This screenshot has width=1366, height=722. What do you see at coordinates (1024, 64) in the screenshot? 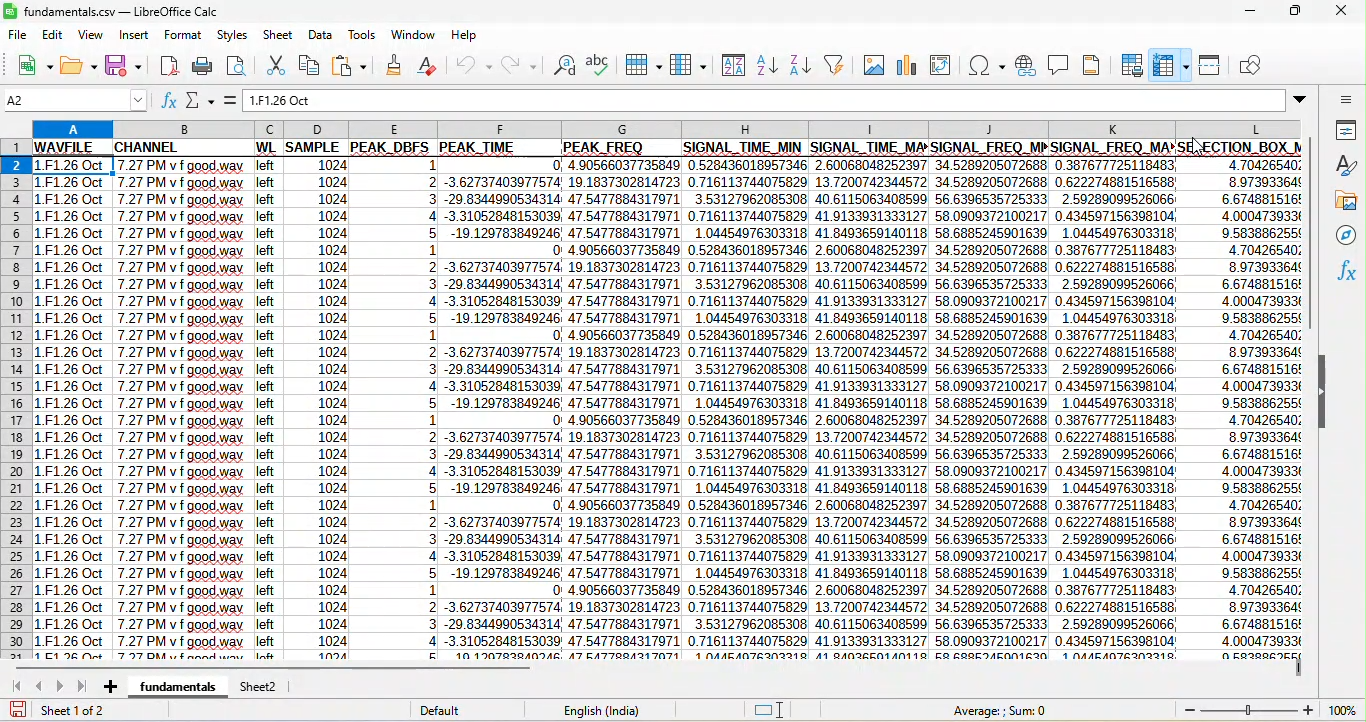
I see `hyperlink` at bounding box center [1024, 64].